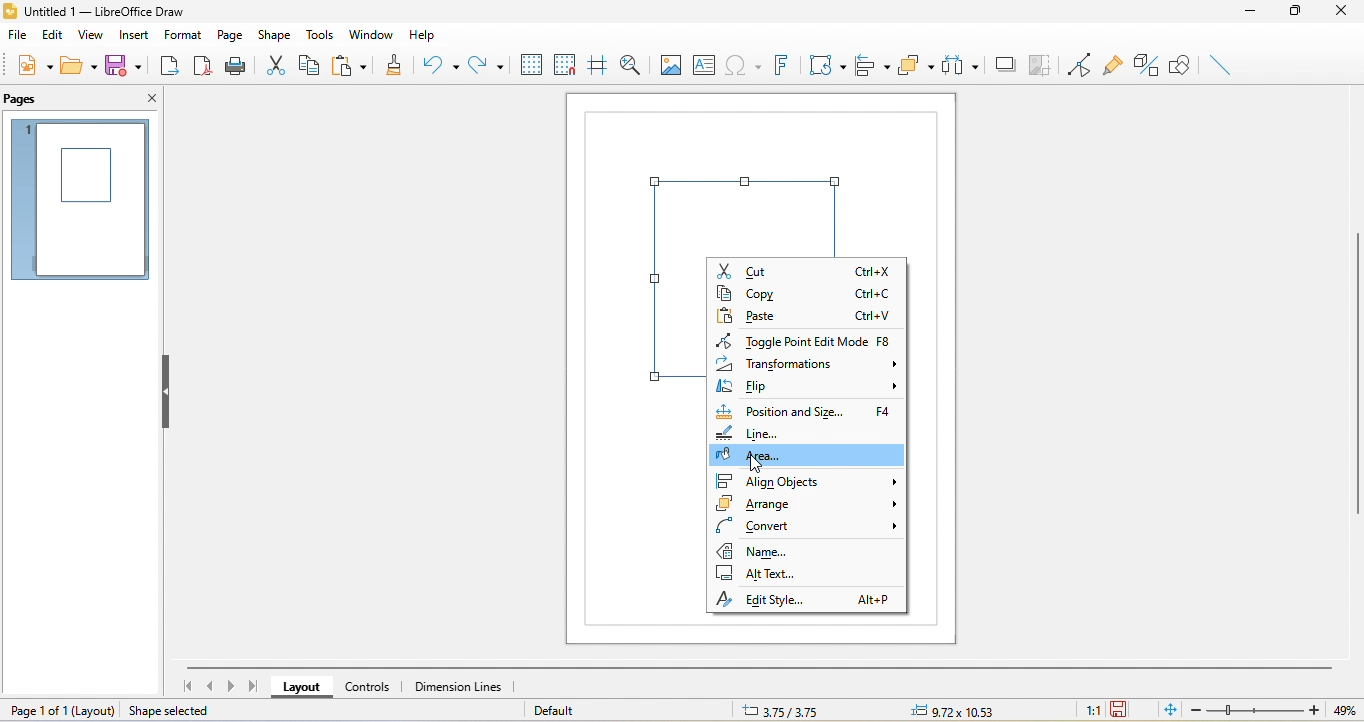  What do you see at coordinates (1278, 710) in the screenshot?
I see `zoom` at bounding box center [1278, 710].